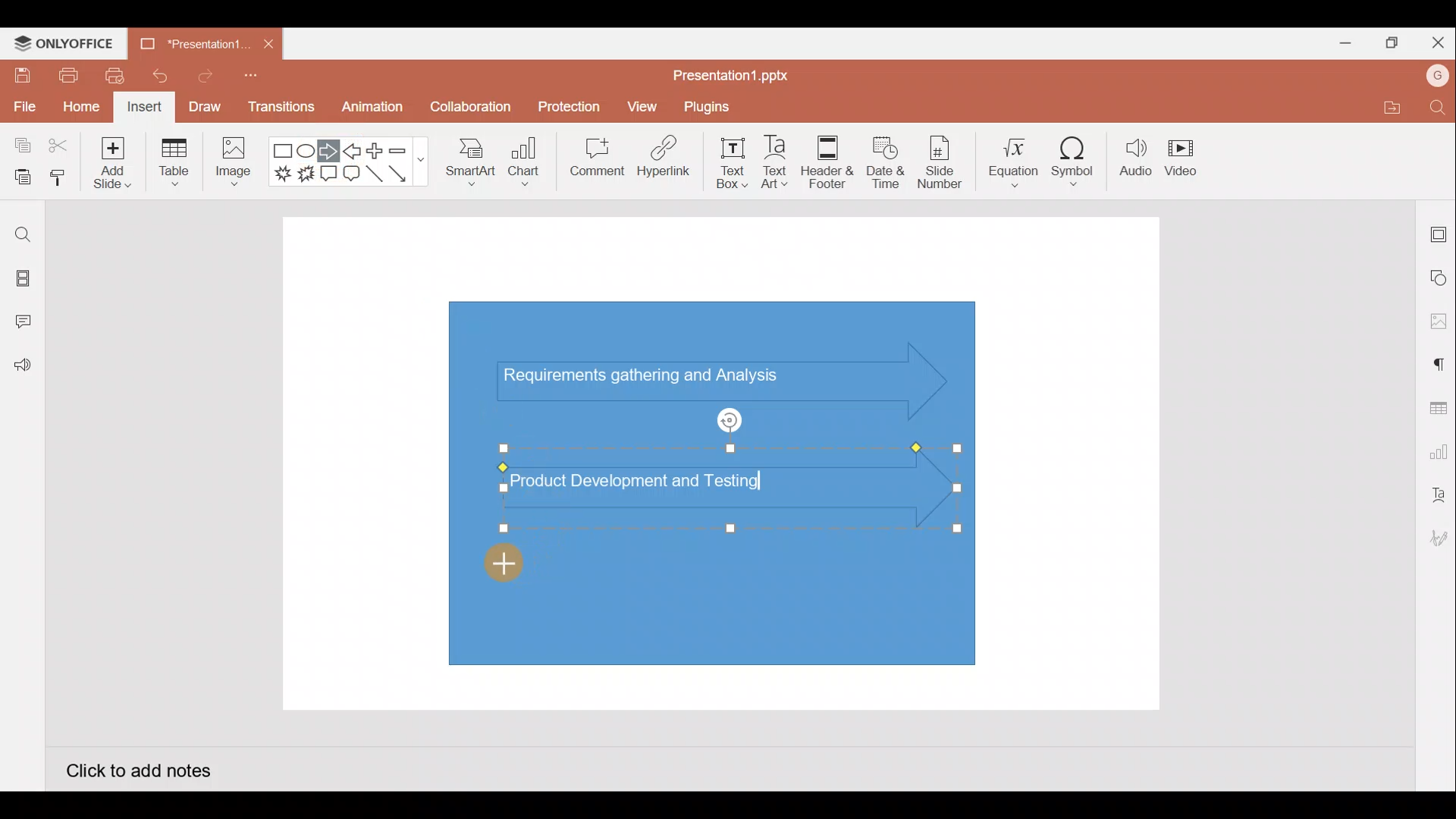 The height and width of the screenshot is (819, 1456). What do you see at coordinates (469, 159) in the screenshot?
I see `SmartArt` at bounding box center [469, 159].